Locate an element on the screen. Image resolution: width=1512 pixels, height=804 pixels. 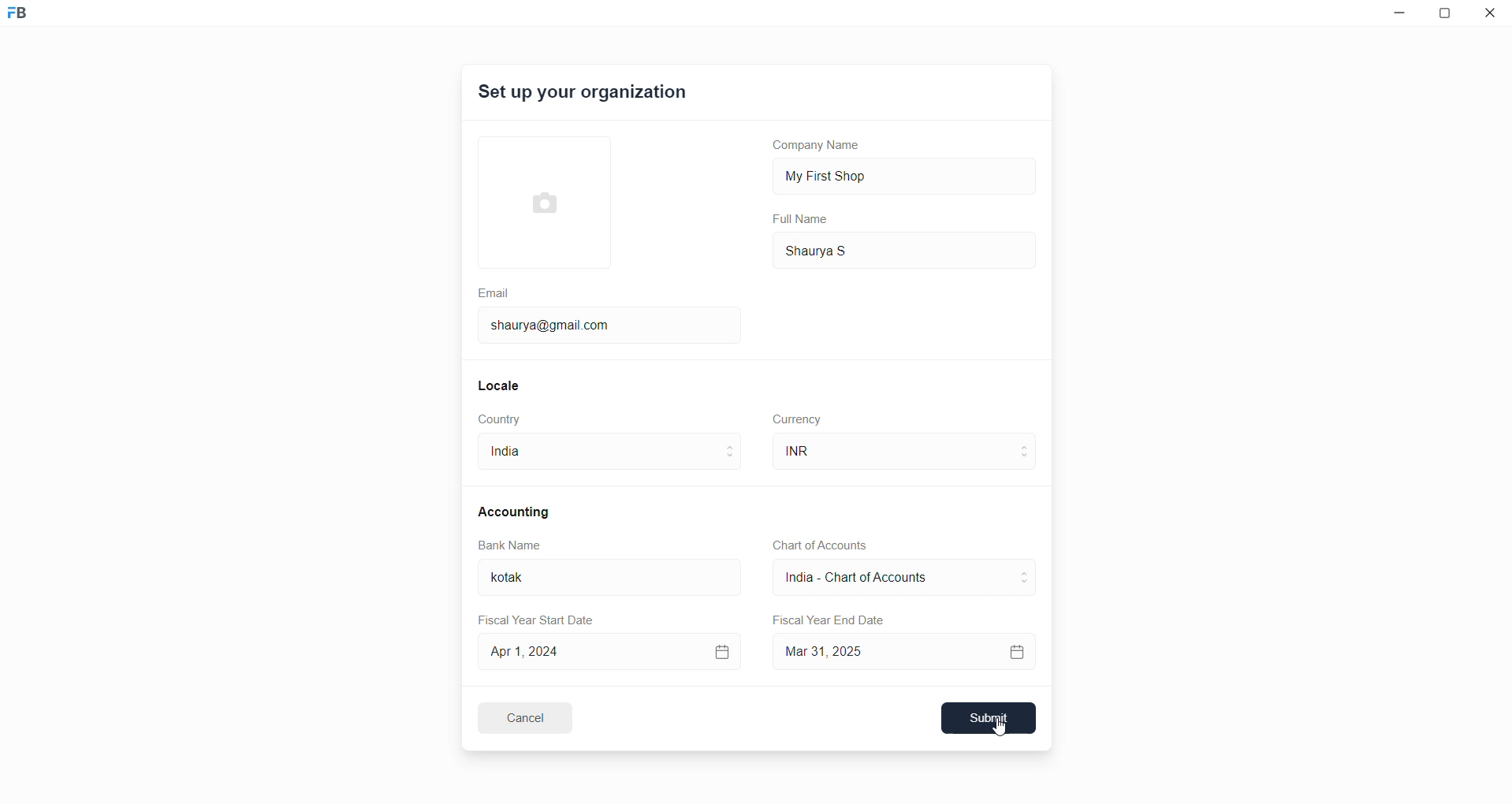
India is located at coordinates (532, 455).